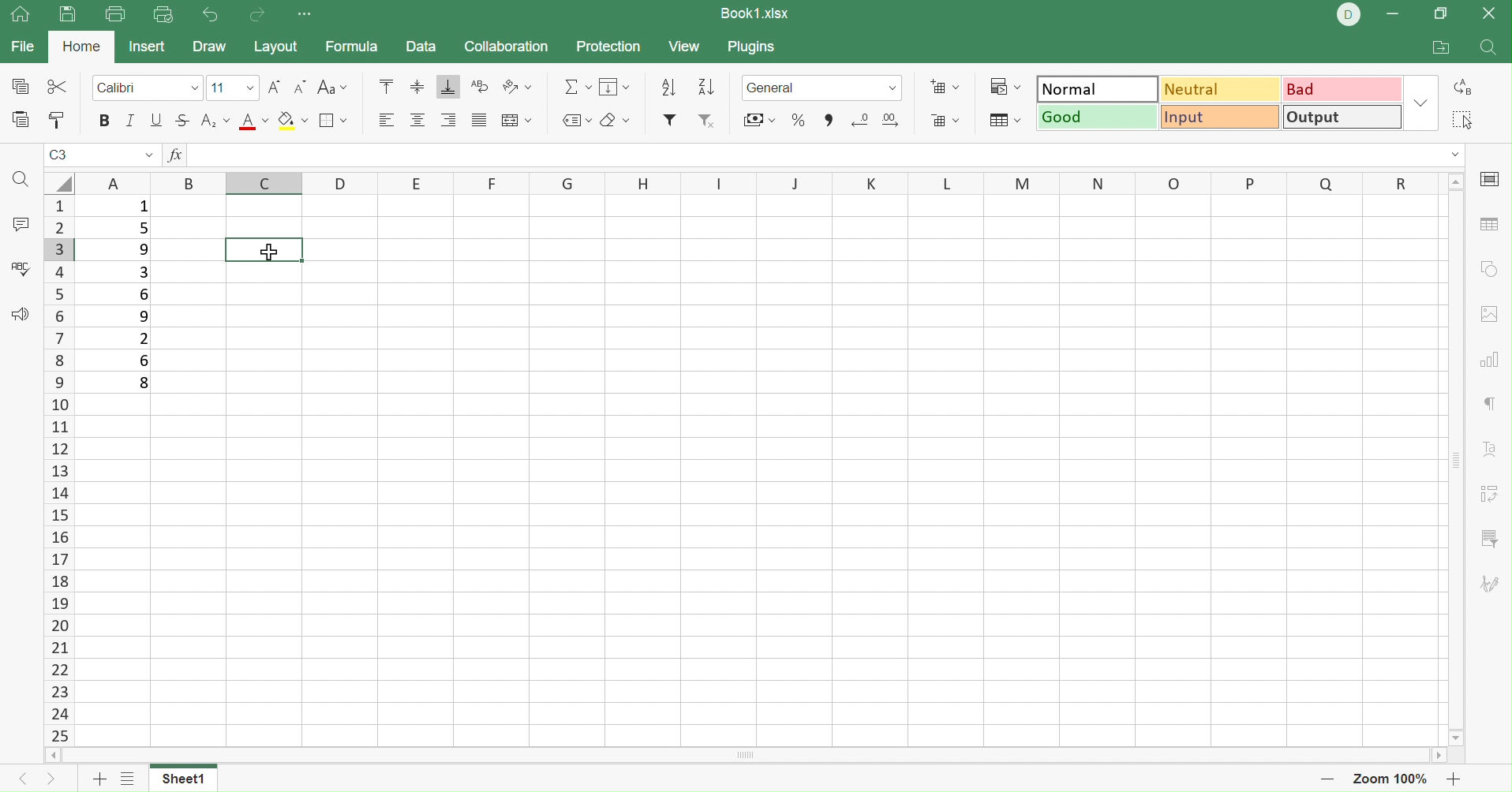  What do you see at coordinates (215, 121) in the screenshot?
I see `` at bounding box center [215, 121].